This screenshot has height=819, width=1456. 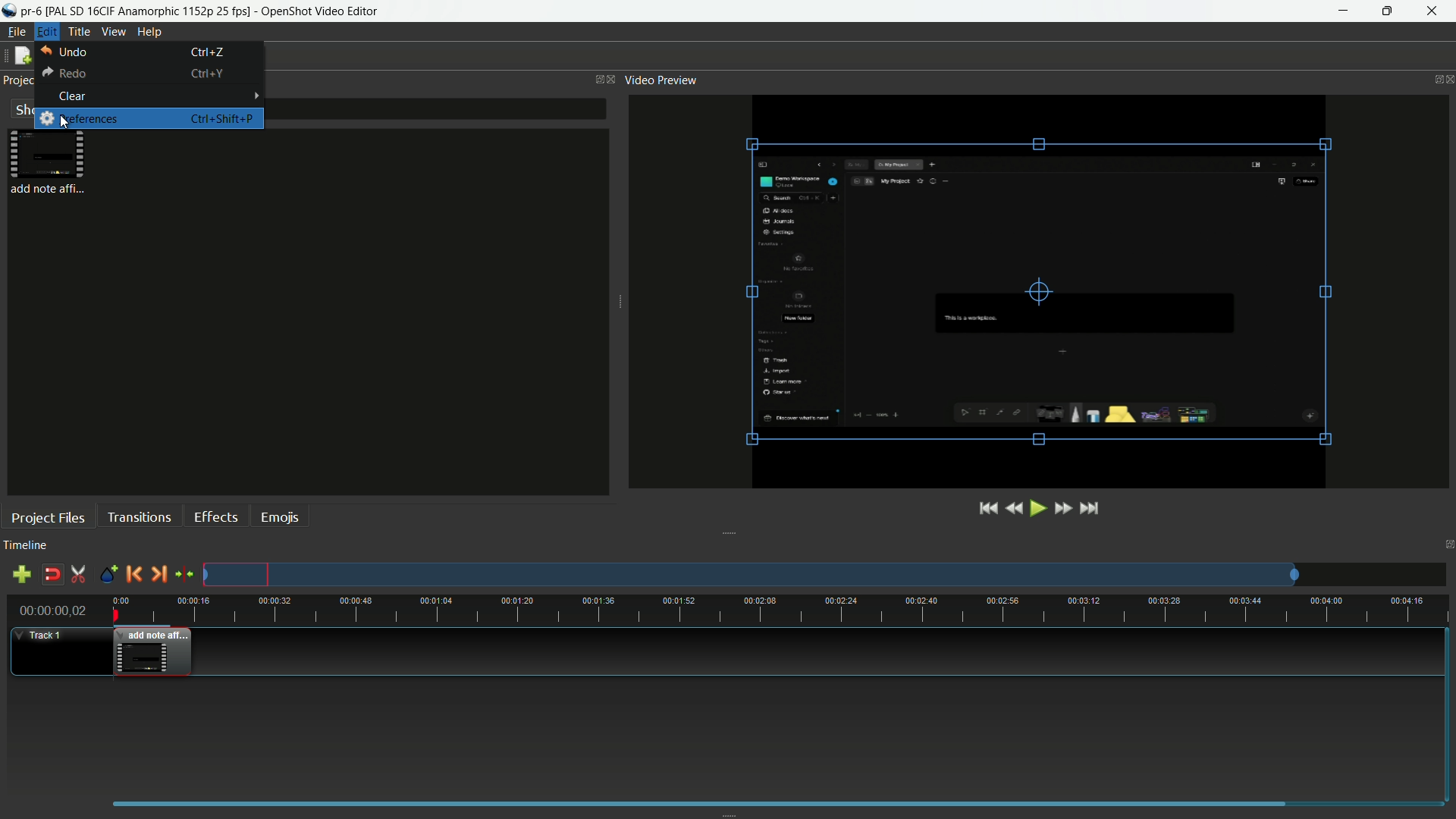 What do you see at coordinates (1433, 11) in the screenshot?
I see `close app` at bounding box center [1433, 11].